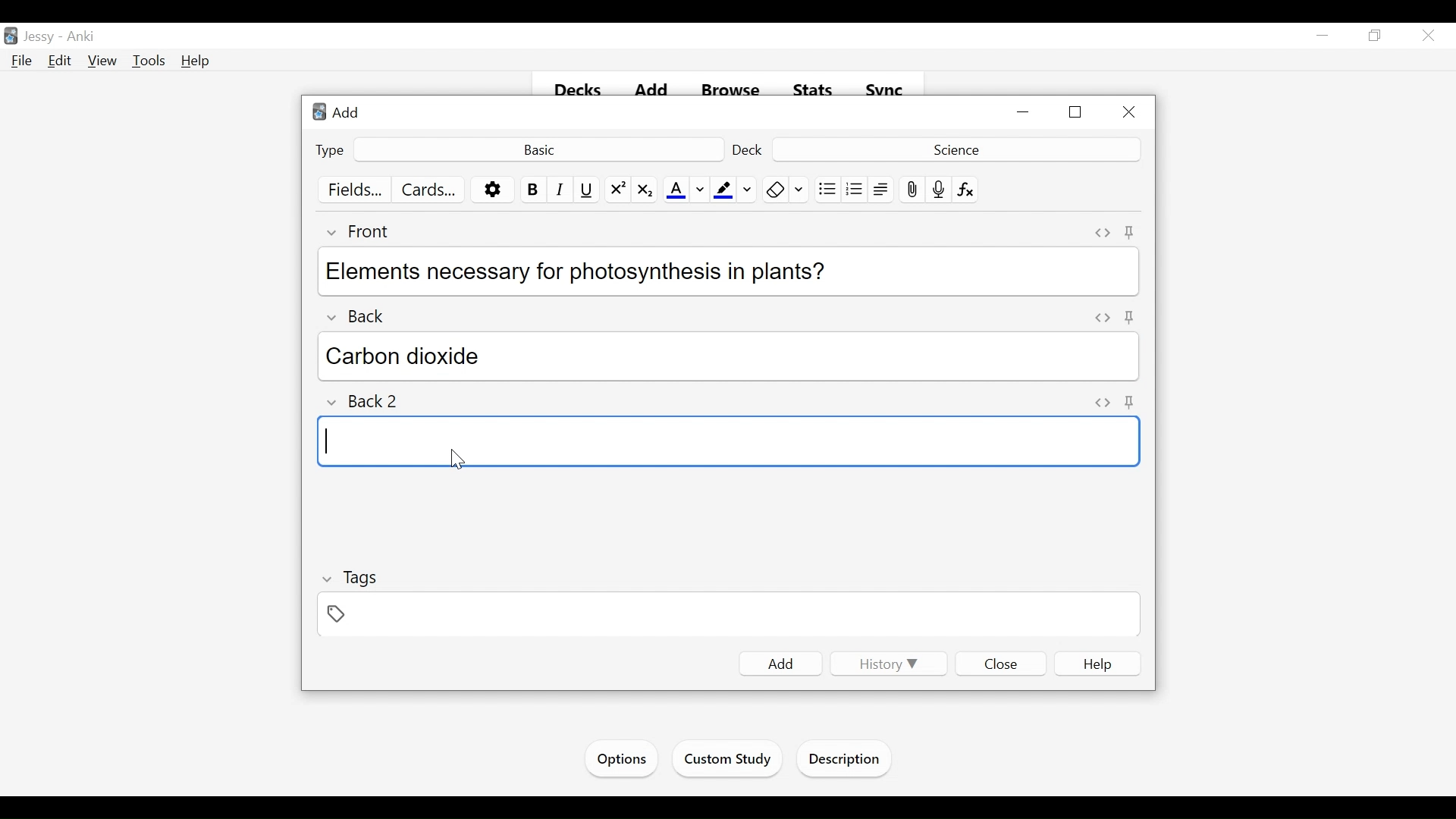 This screenshot has height=819, width=1456. Describe the element at coordinates (340, 111) in the screenshot. I see `Add` at that location.